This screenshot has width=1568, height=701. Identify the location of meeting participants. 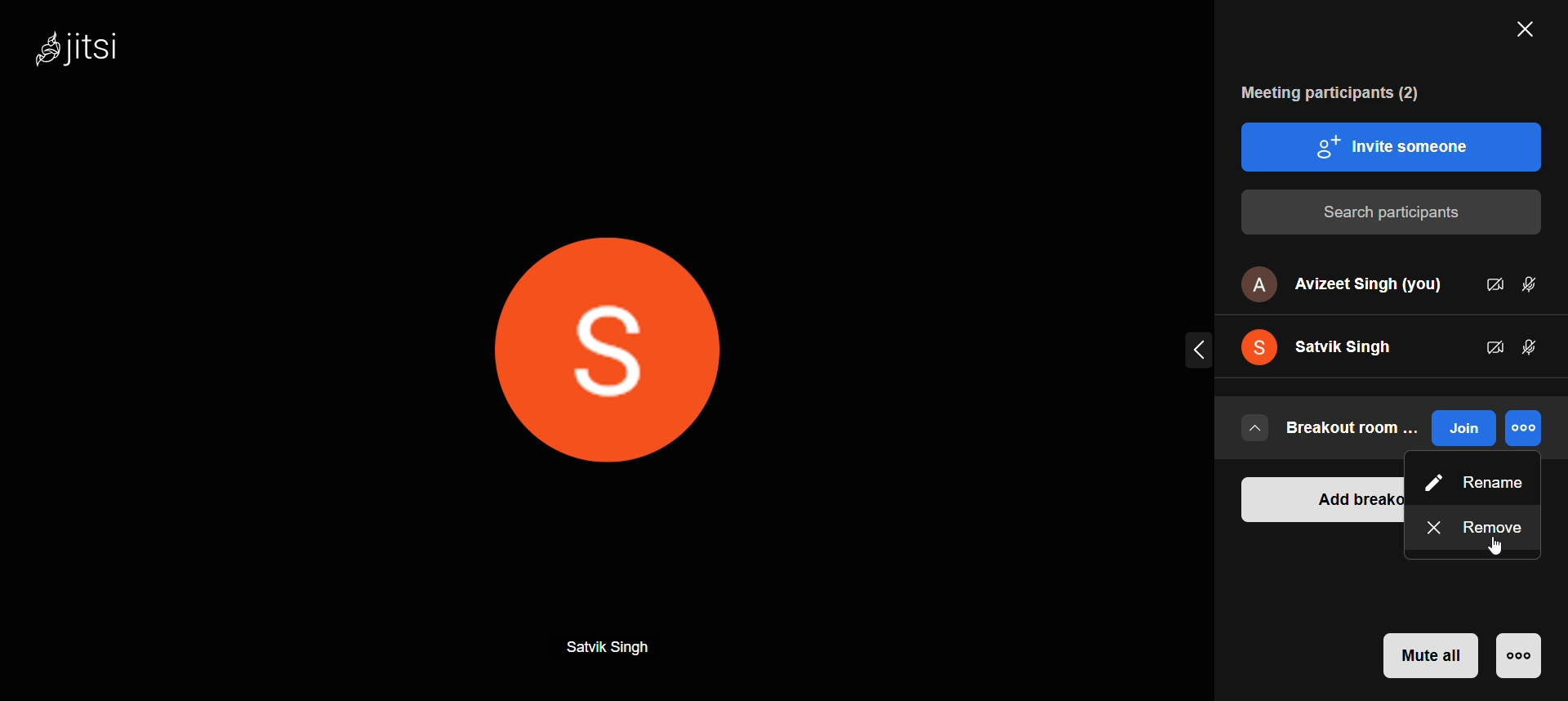
(1334, 93).